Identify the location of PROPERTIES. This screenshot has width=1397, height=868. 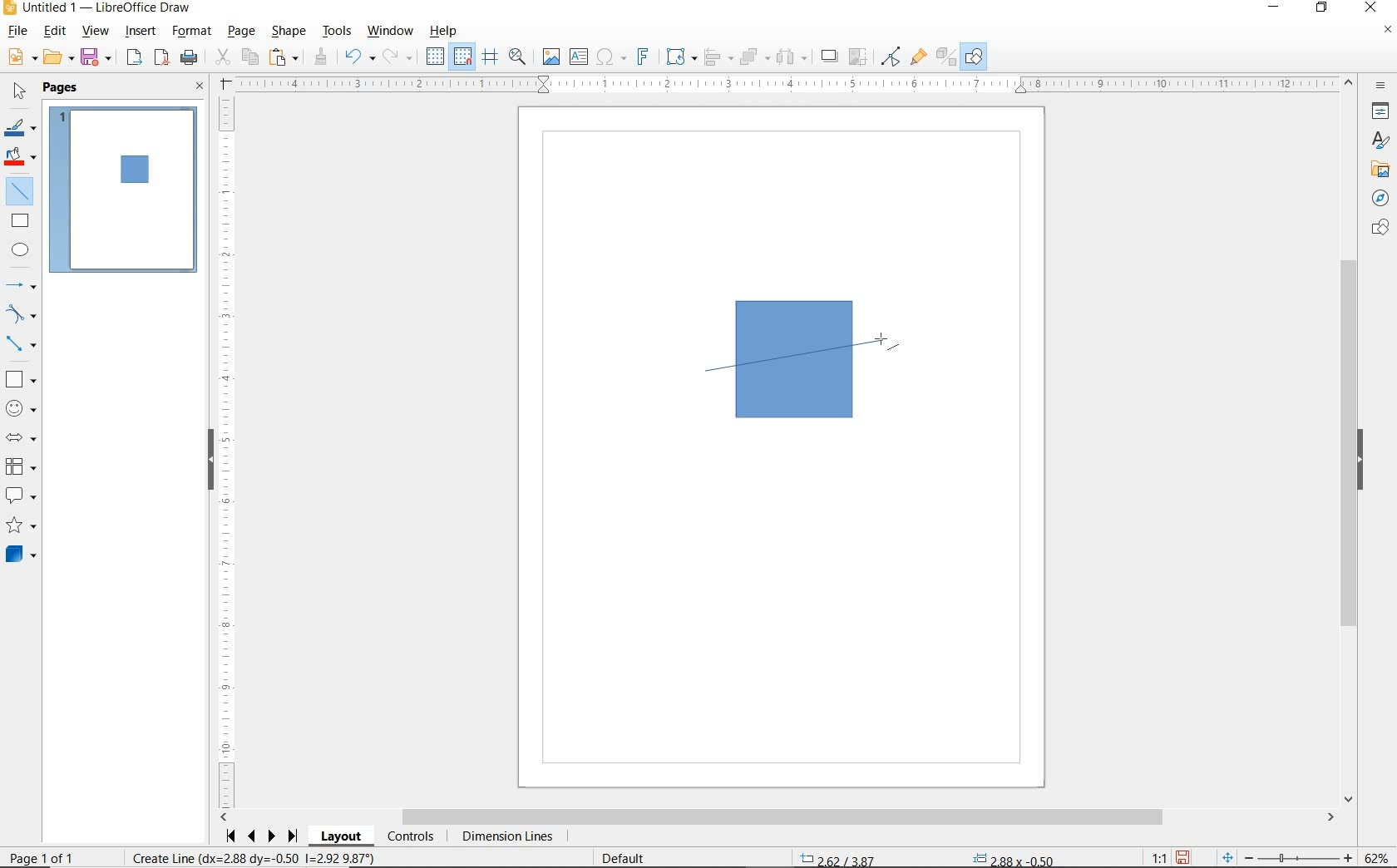
(1378, 113).